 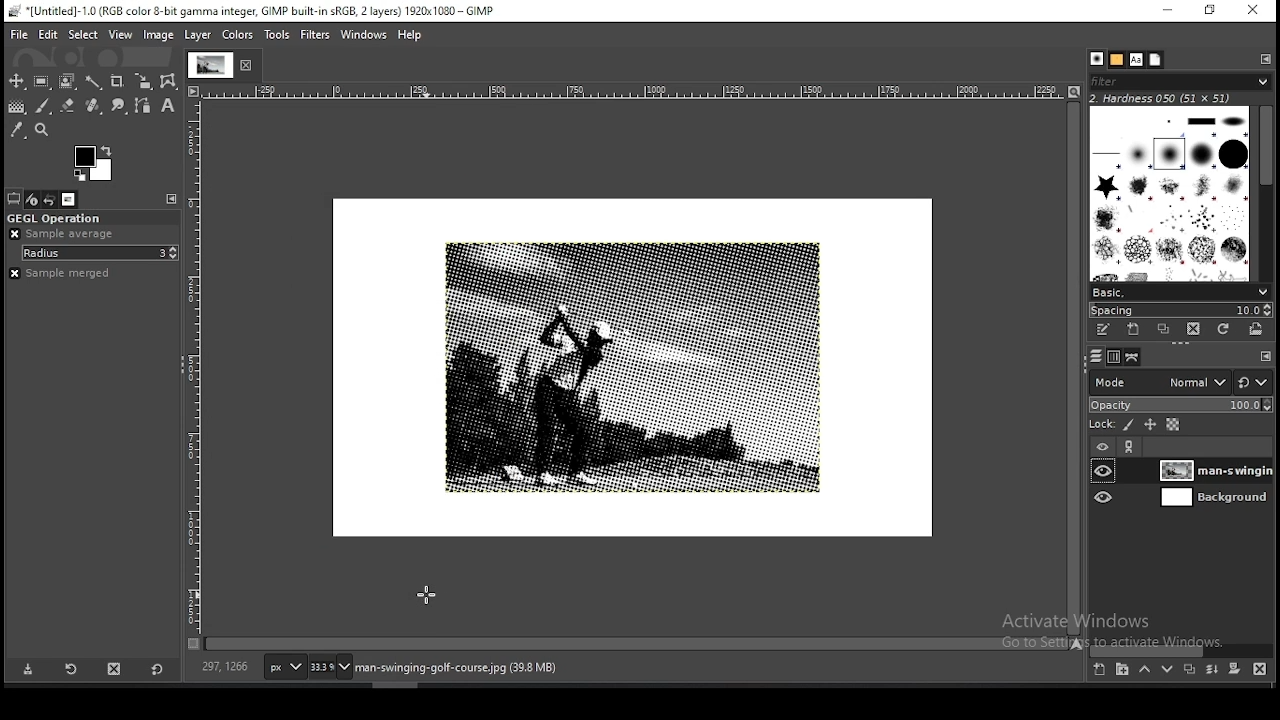 I want to click on create a new brush, so click(x=1134, y=330).